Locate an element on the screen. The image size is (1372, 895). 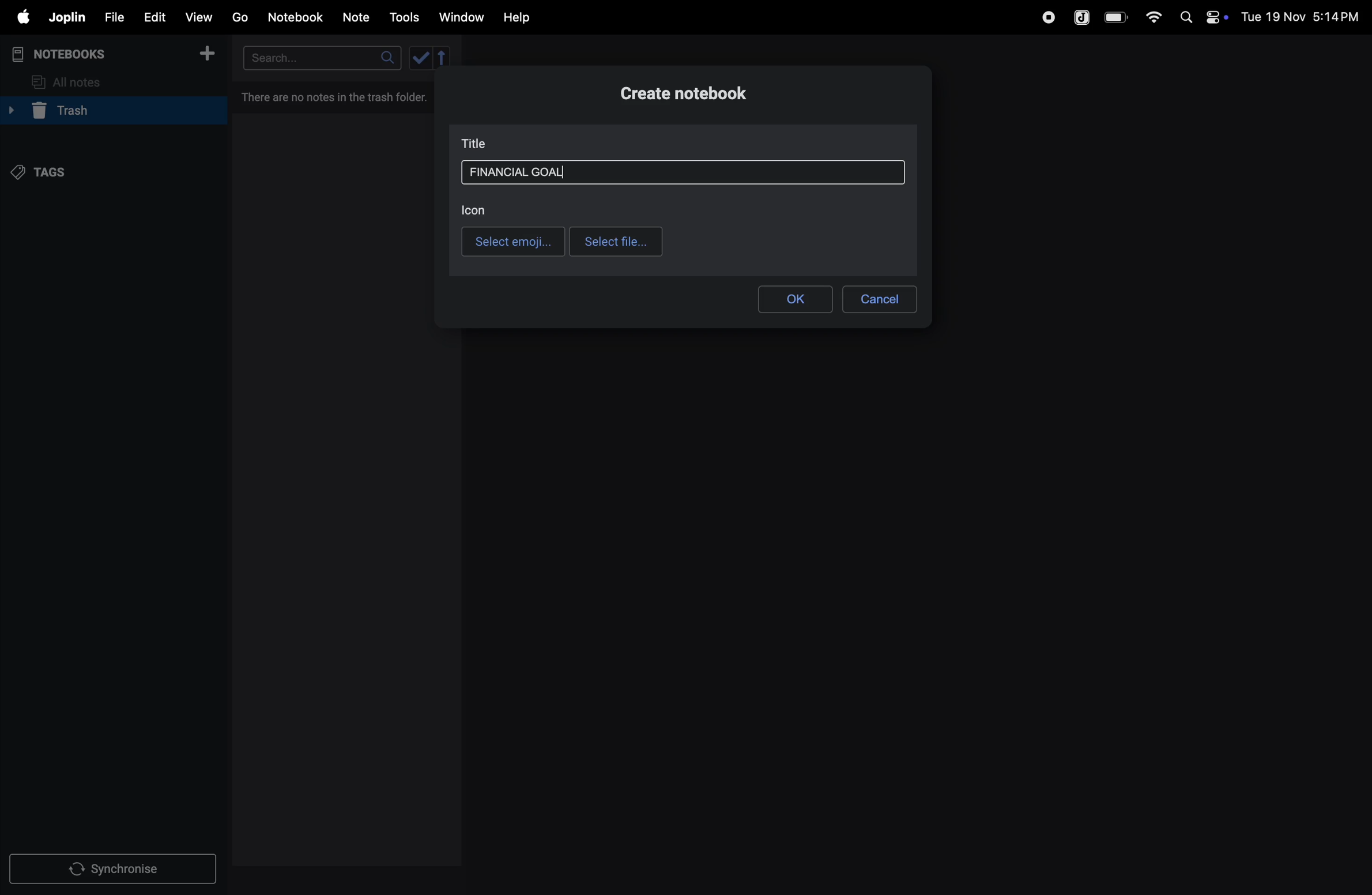
financial golas is located at coordinates (519, 173).